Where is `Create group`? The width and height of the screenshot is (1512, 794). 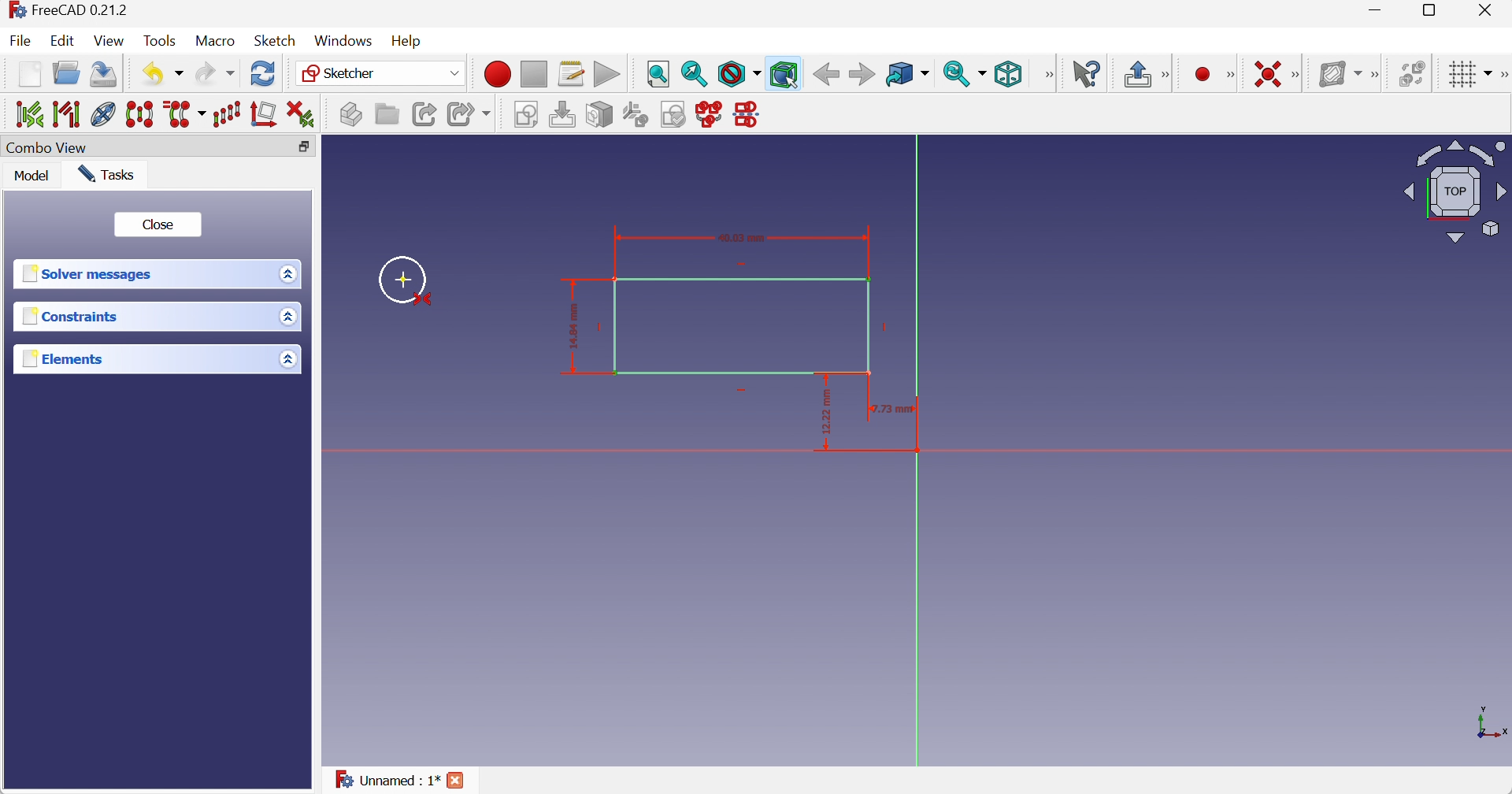
Create group is located at coordinates (386, 113).